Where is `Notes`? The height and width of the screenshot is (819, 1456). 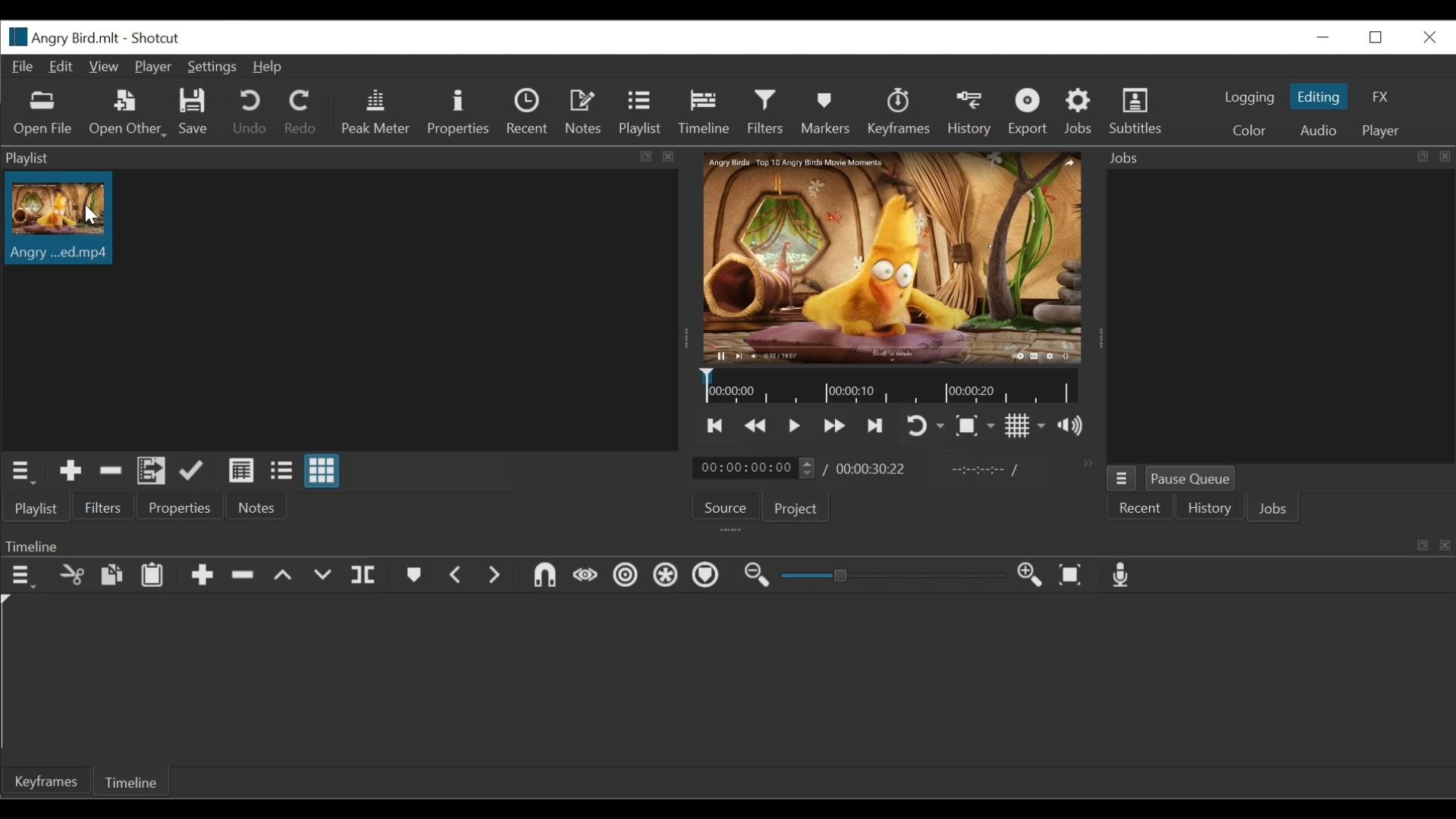 Notes is located at coordinates (252, 507).